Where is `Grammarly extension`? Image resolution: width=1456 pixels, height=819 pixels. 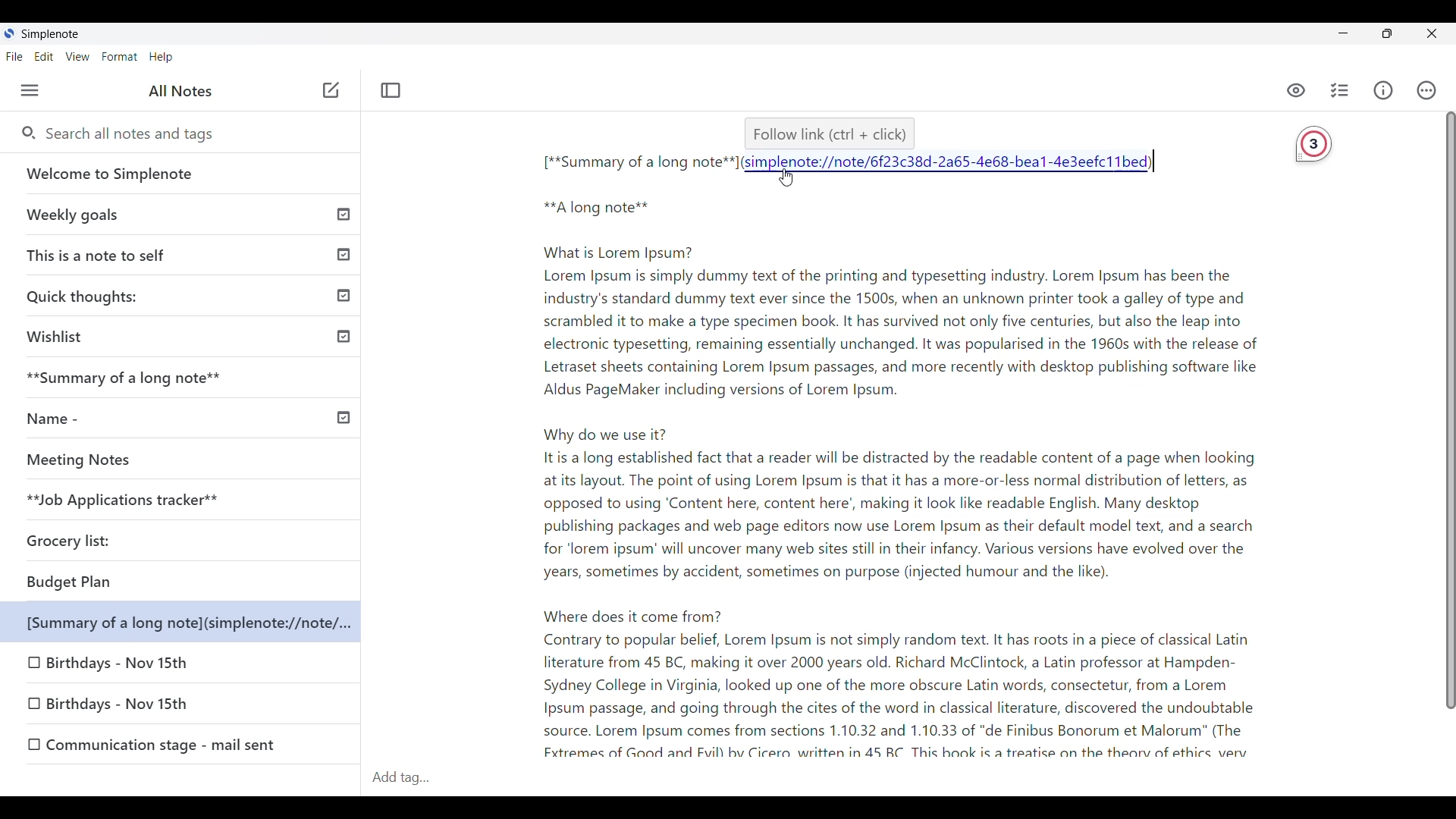 Grammarly extension is located at coordinates (1307, 146).